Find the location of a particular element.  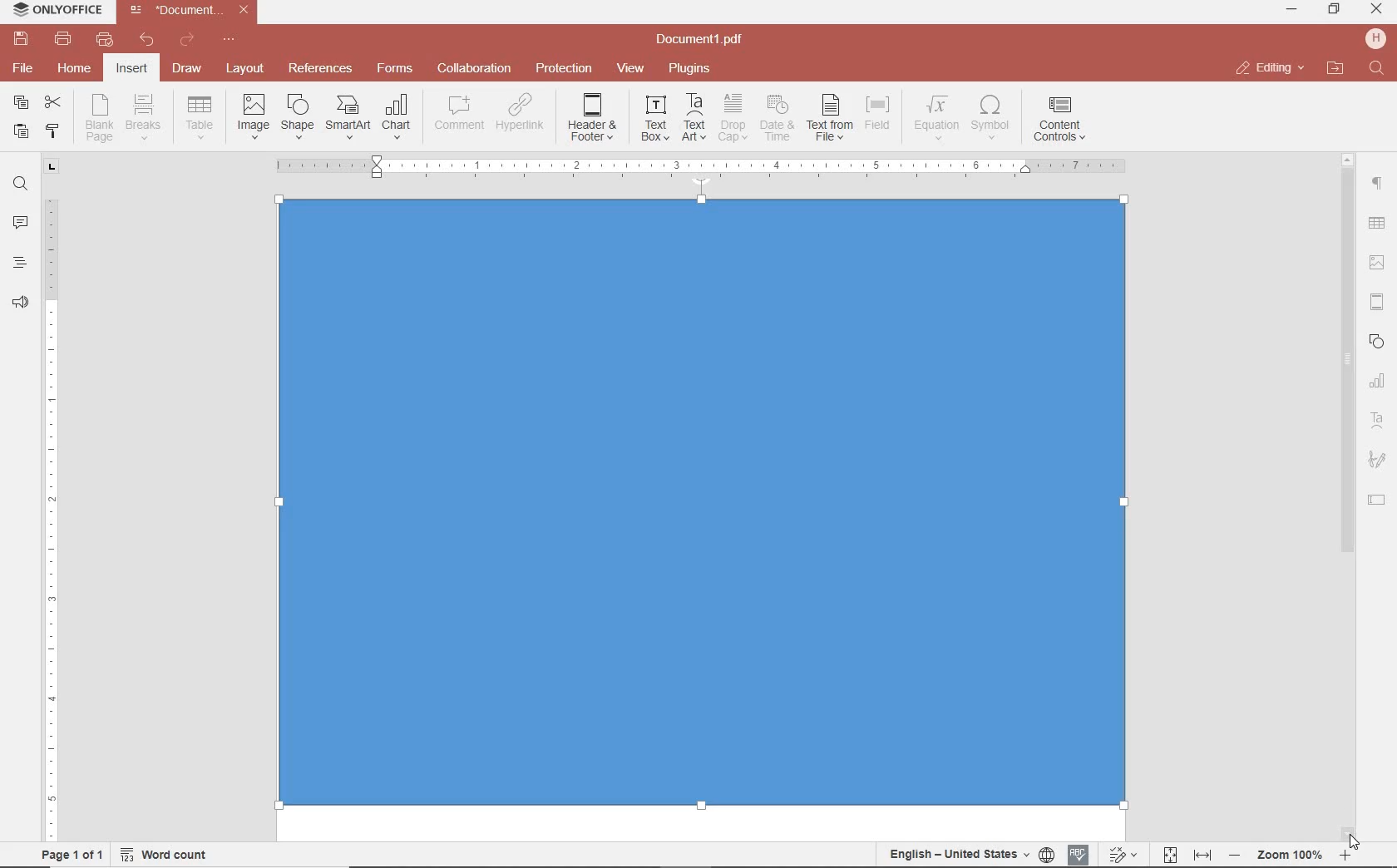

EDIT HEADER OR FOOTER is located at coordinates (594, 118).